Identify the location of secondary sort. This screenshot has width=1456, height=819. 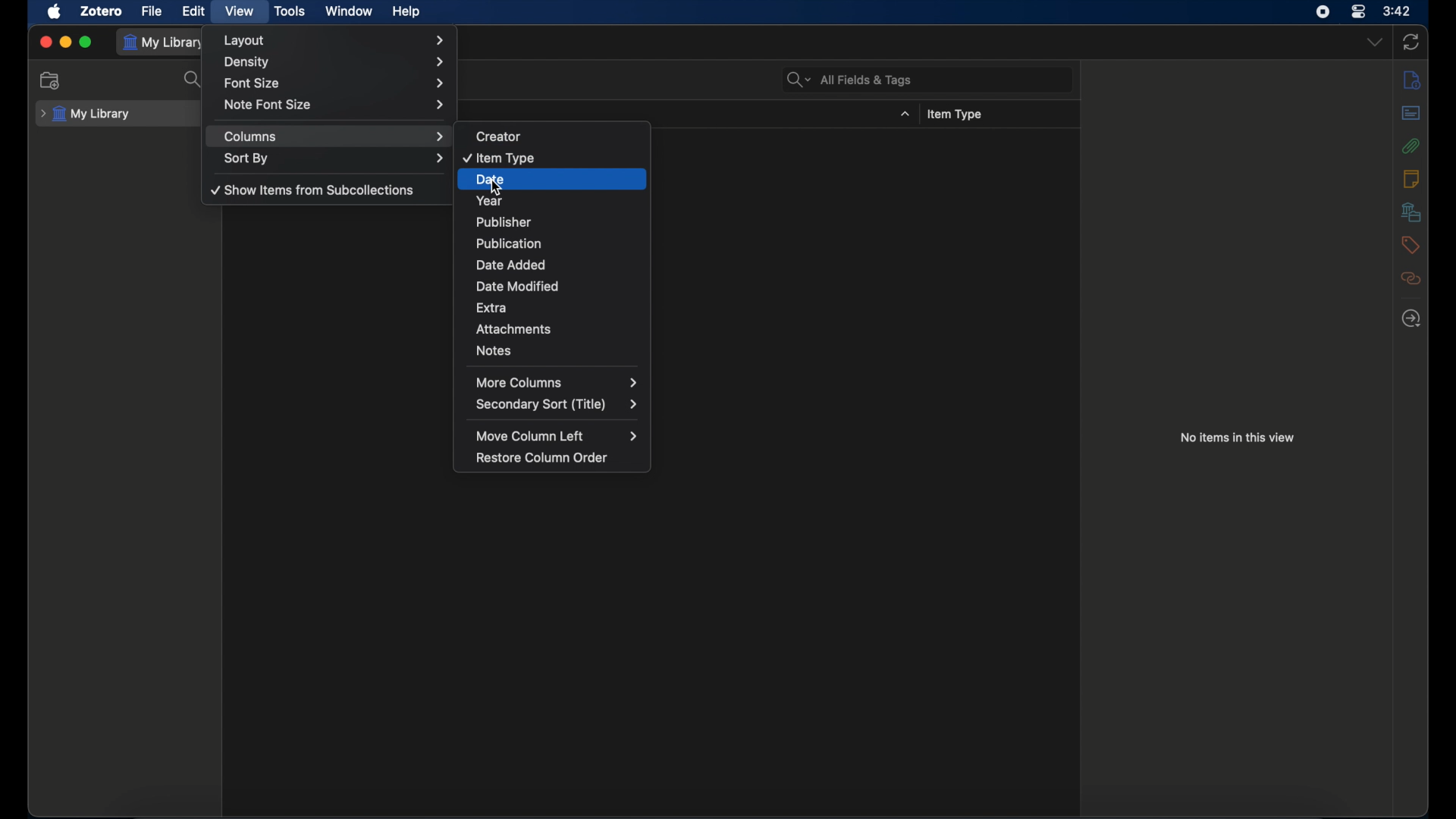
(552, 405).